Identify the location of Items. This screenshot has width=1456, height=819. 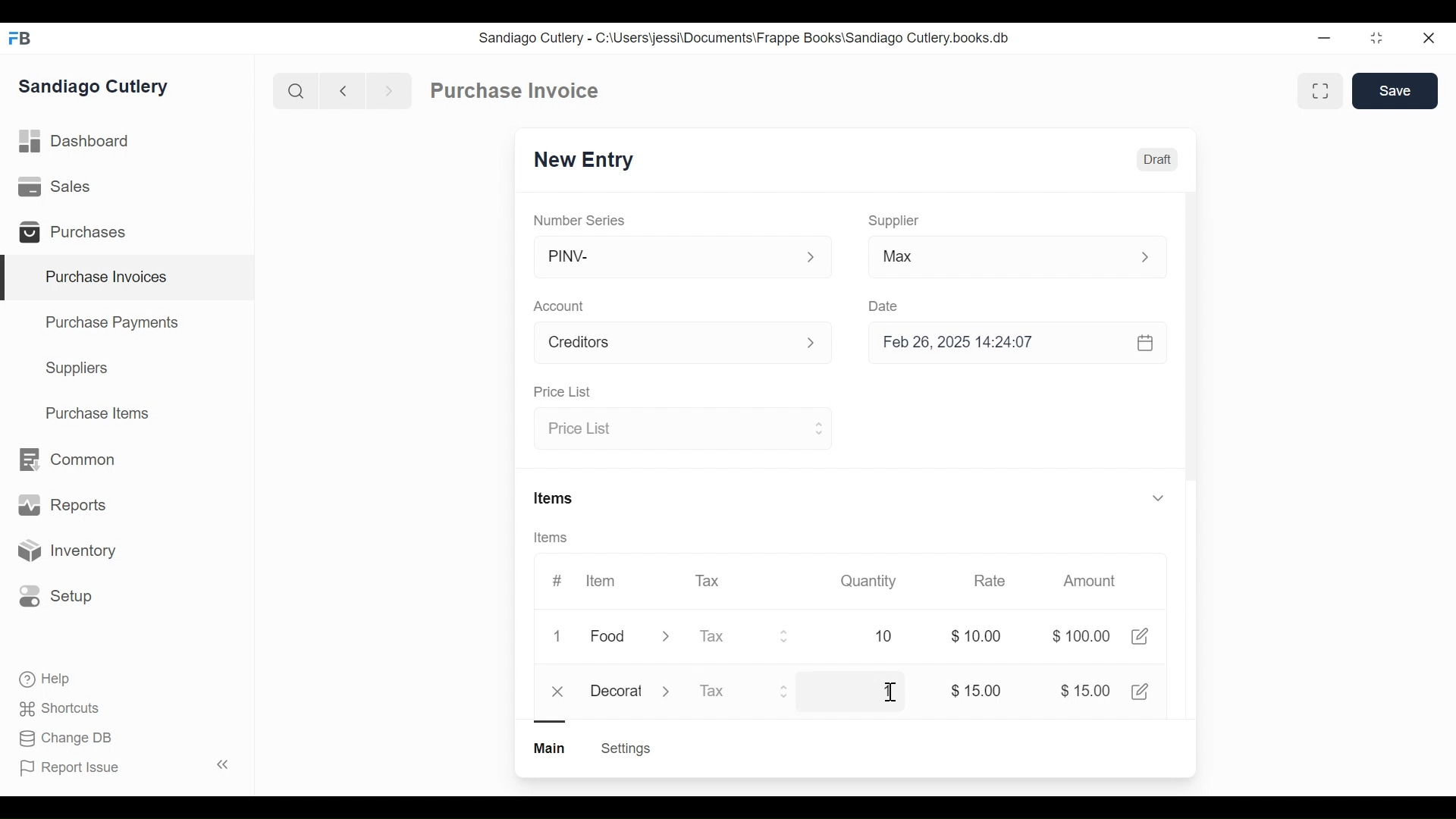
(556, 538).